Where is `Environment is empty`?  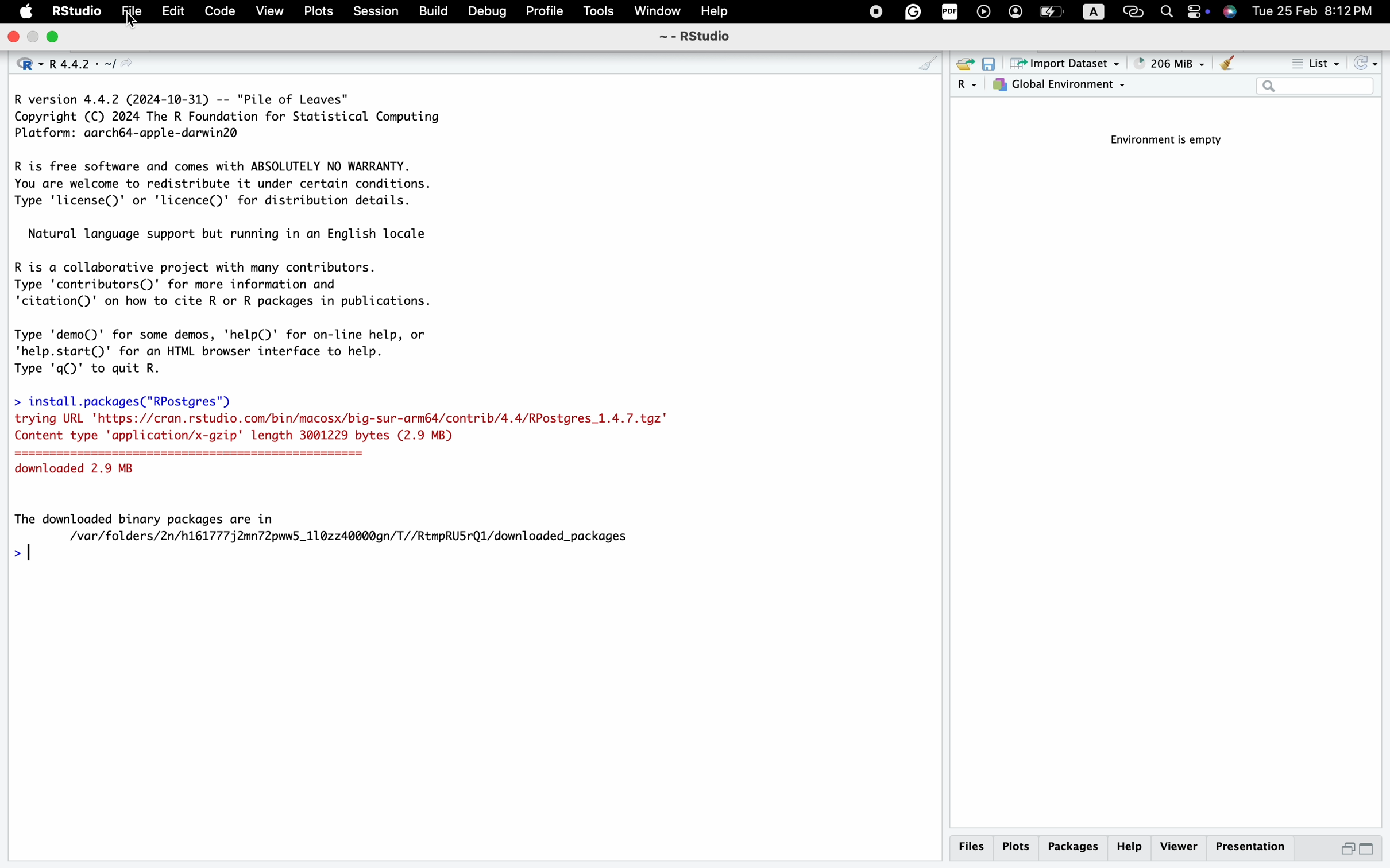 Environment is empty is located at coordinates (1173, 141).